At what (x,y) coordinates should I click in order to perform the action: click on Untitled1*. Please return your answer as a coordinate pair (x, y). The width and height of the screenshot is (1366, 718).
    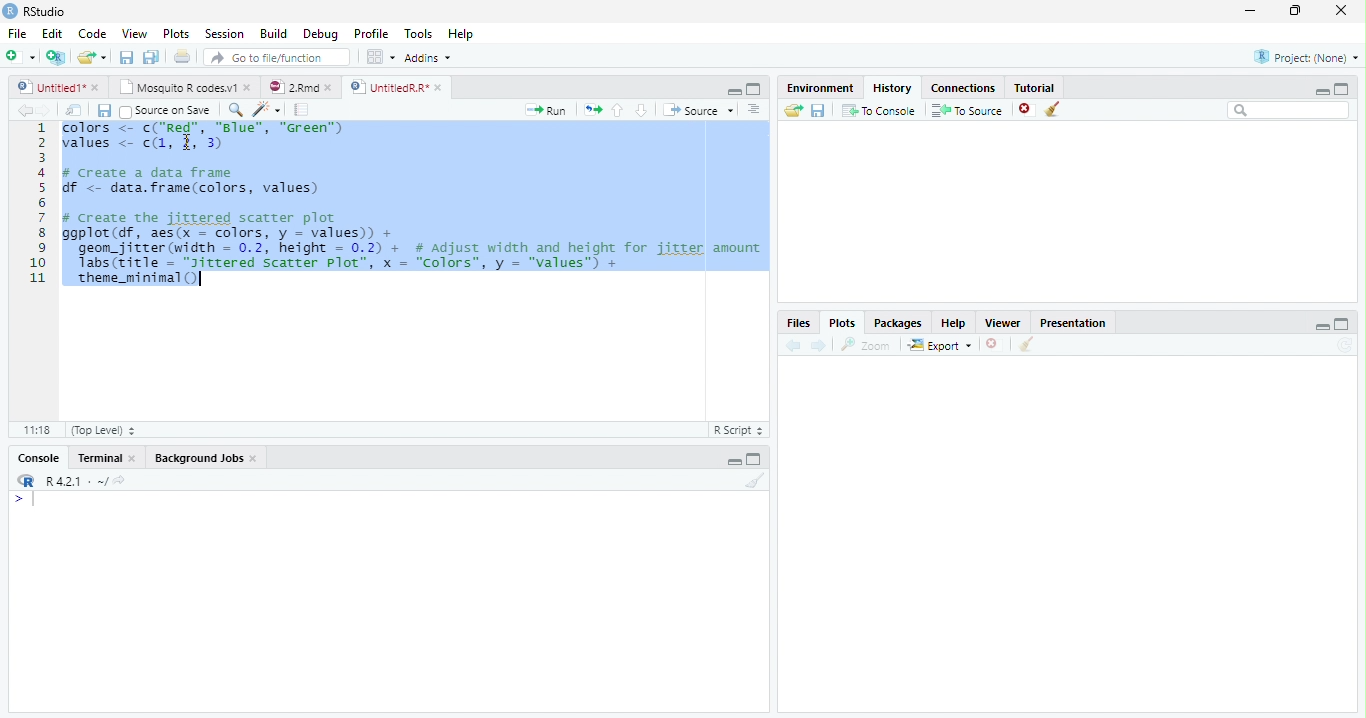
    Looking at the image, I should click on (50, 88).